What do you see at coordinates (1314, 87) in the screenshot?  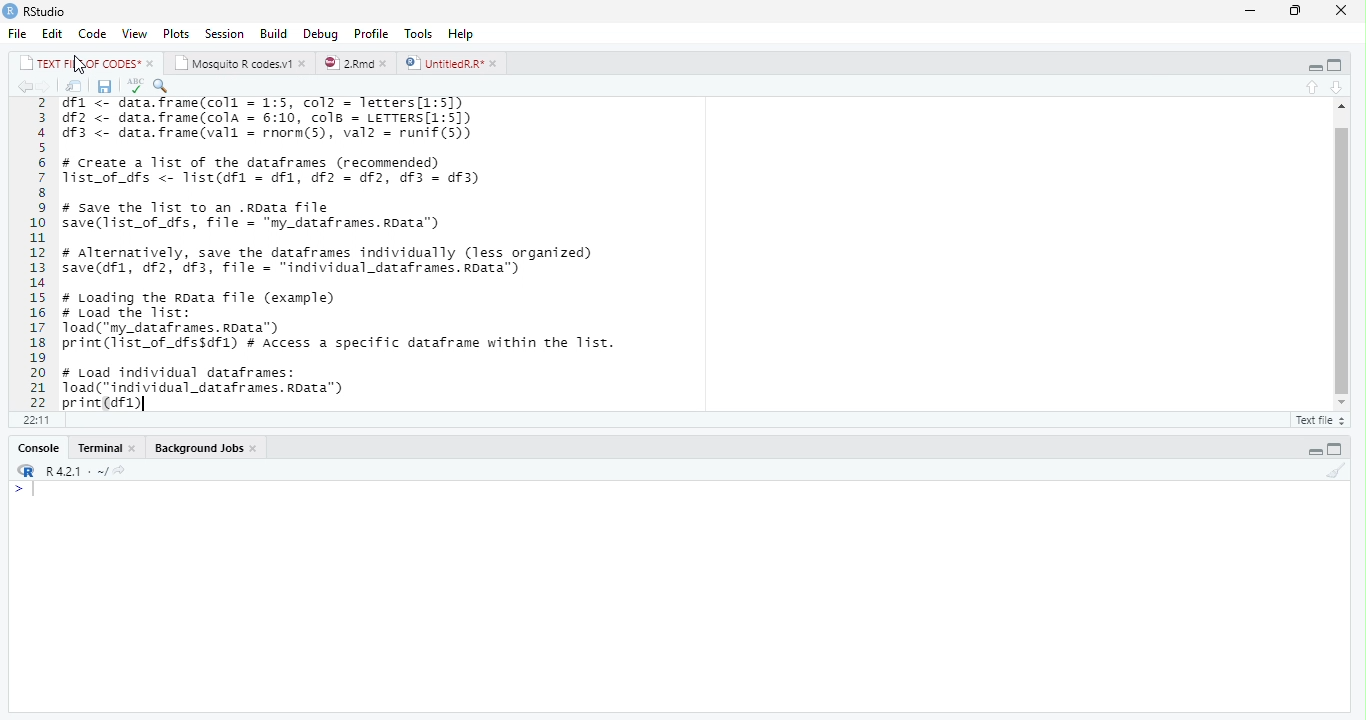 I see `Go to previous section` at bounding box center [1314, 87].